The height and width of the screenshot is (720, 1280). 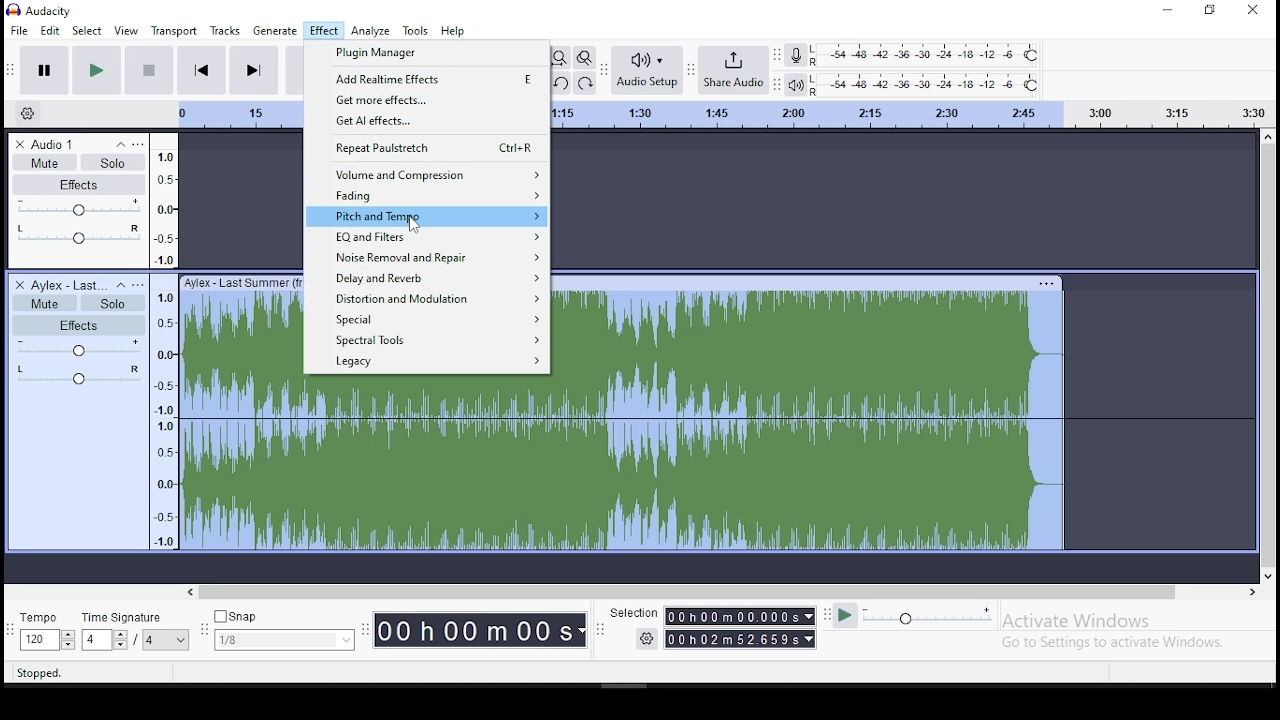 I want to click on settings, so click(x=31, y=111).